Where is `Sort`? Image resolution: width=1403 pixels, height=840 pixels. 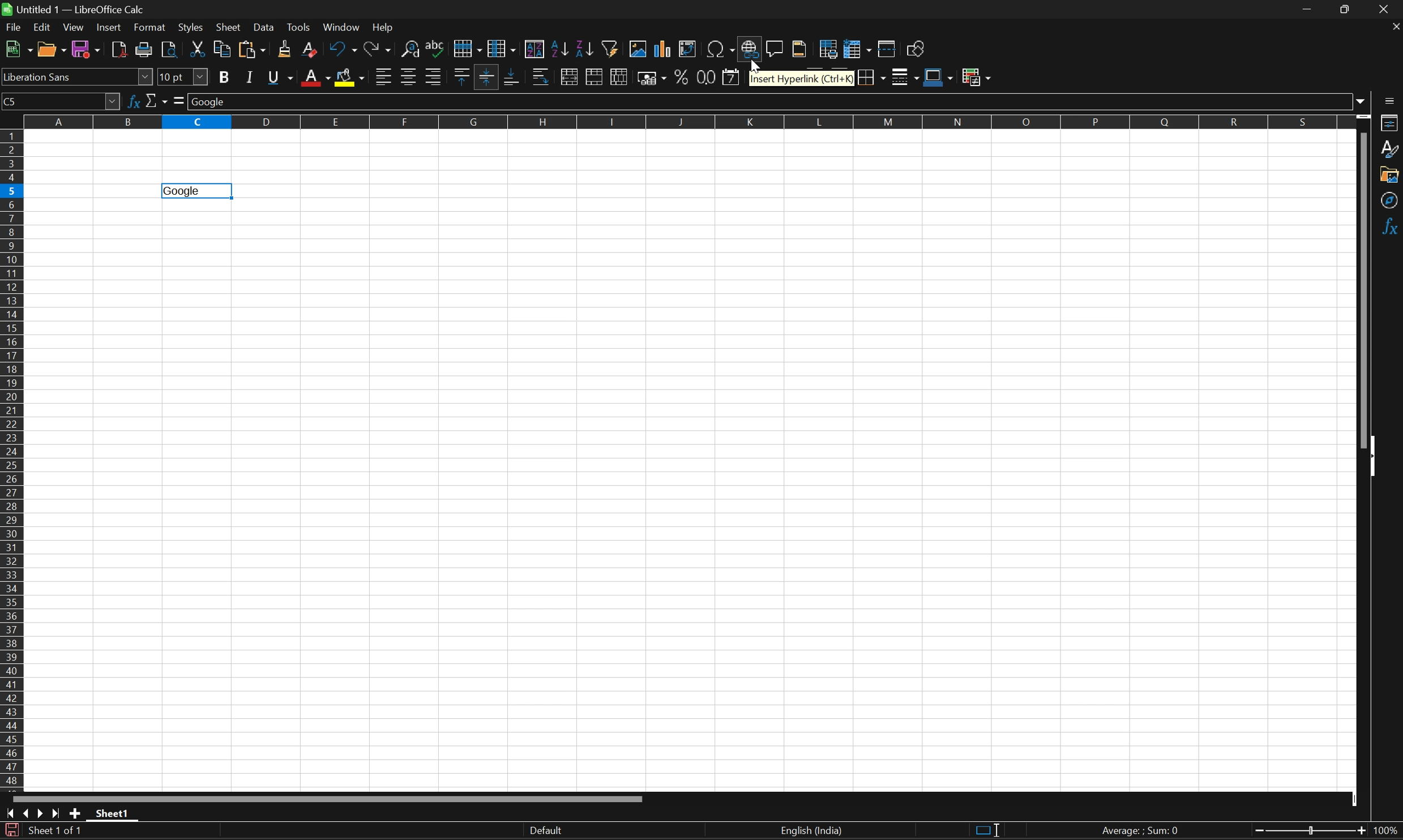 Sort is located at coordinates (534, 48).